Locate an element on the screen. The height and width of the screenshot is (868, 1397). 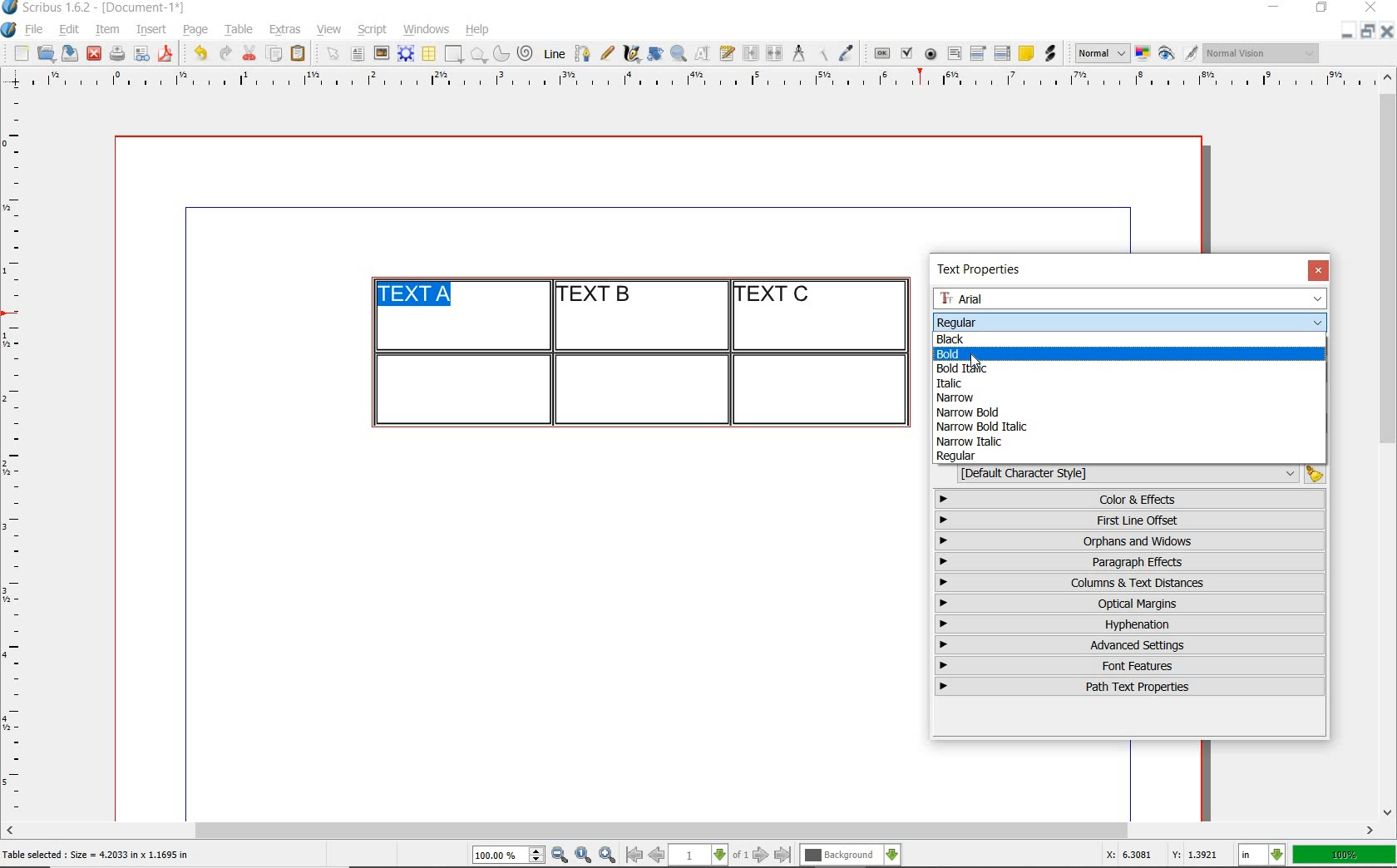
line is located at coordinates (552, 53).